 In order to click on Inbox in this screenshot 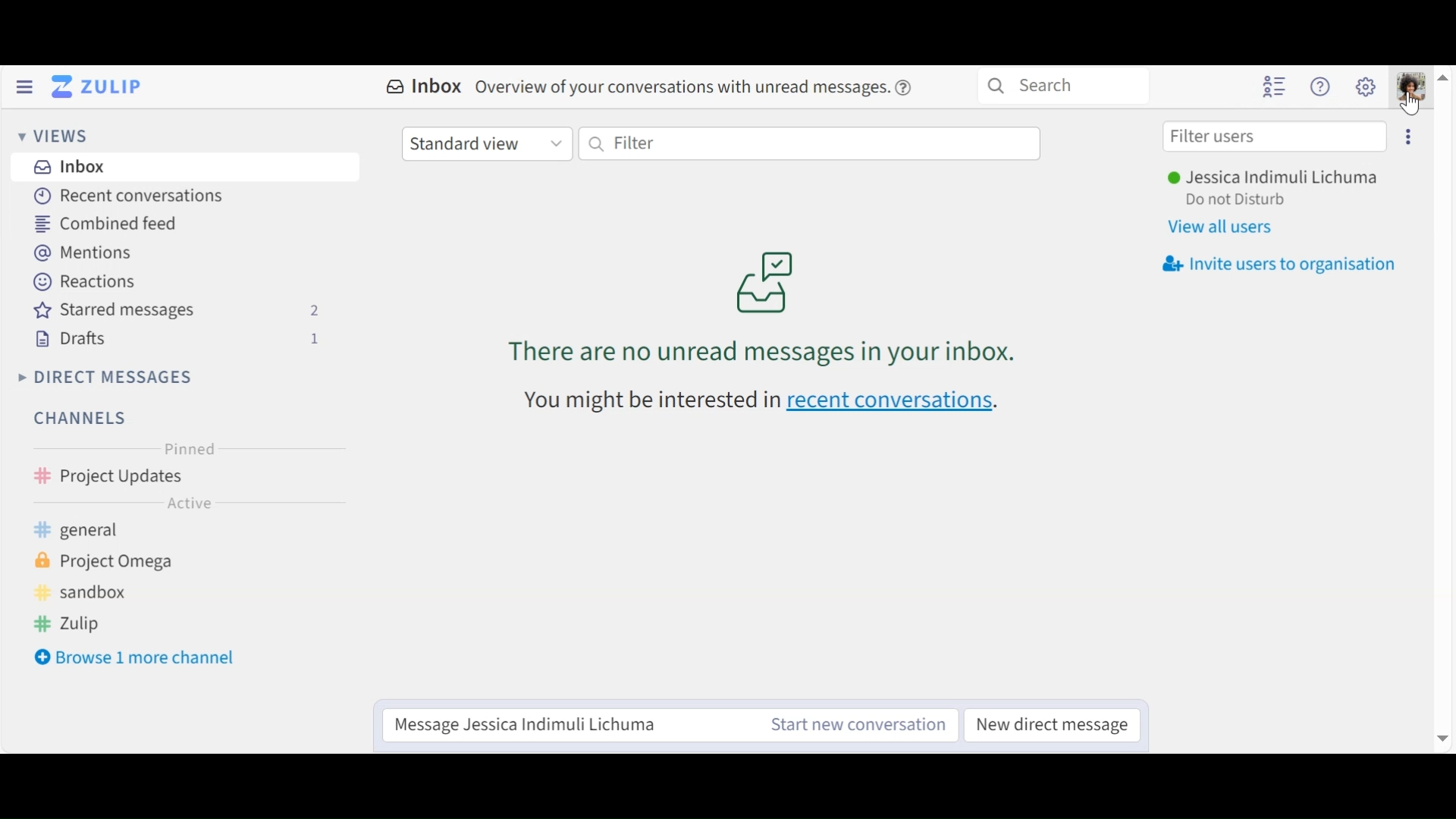, I will do `click(194, 168)`.